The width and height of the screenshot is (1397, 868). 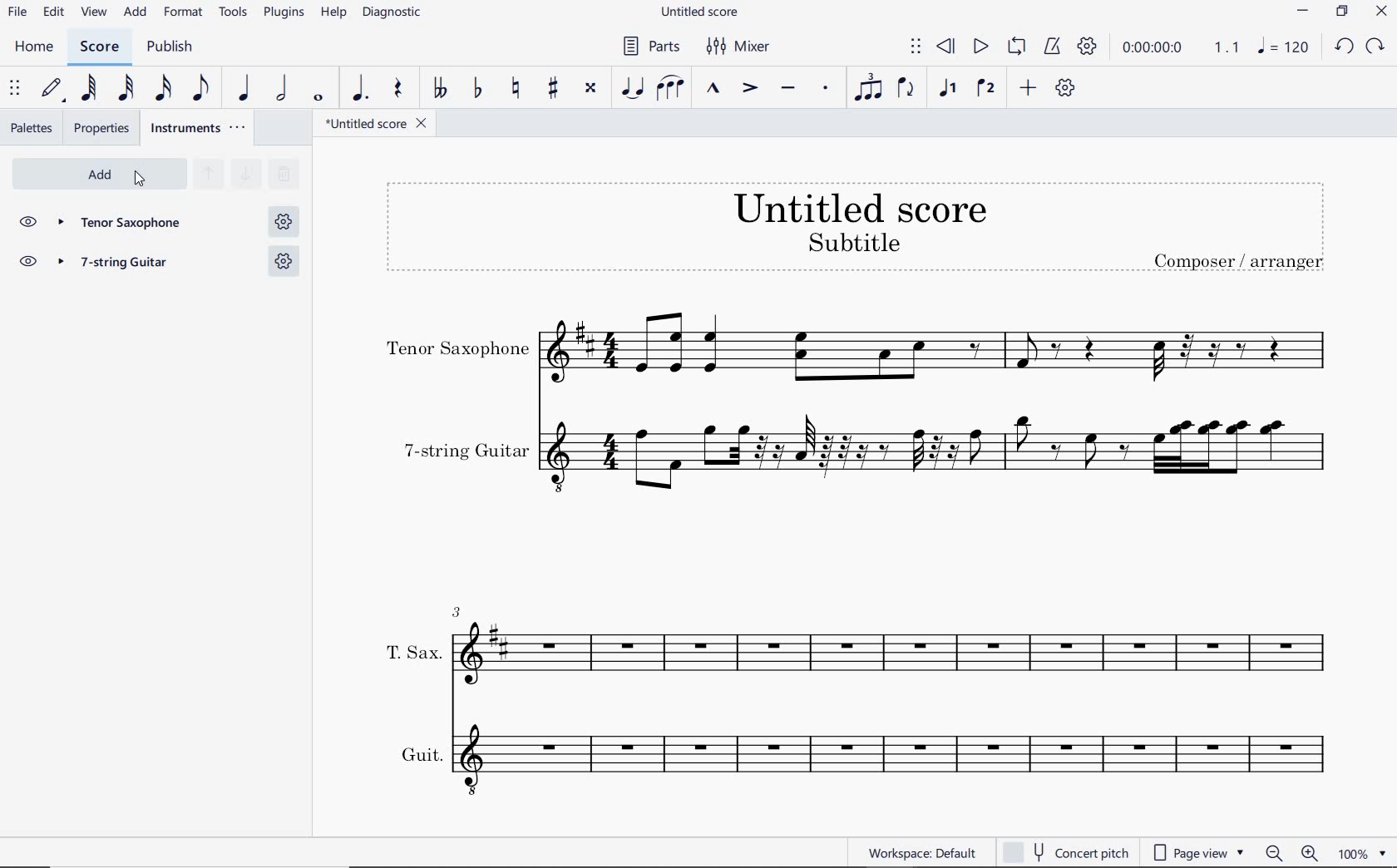 I want to click on REDO, so click(x=1374, y=47).